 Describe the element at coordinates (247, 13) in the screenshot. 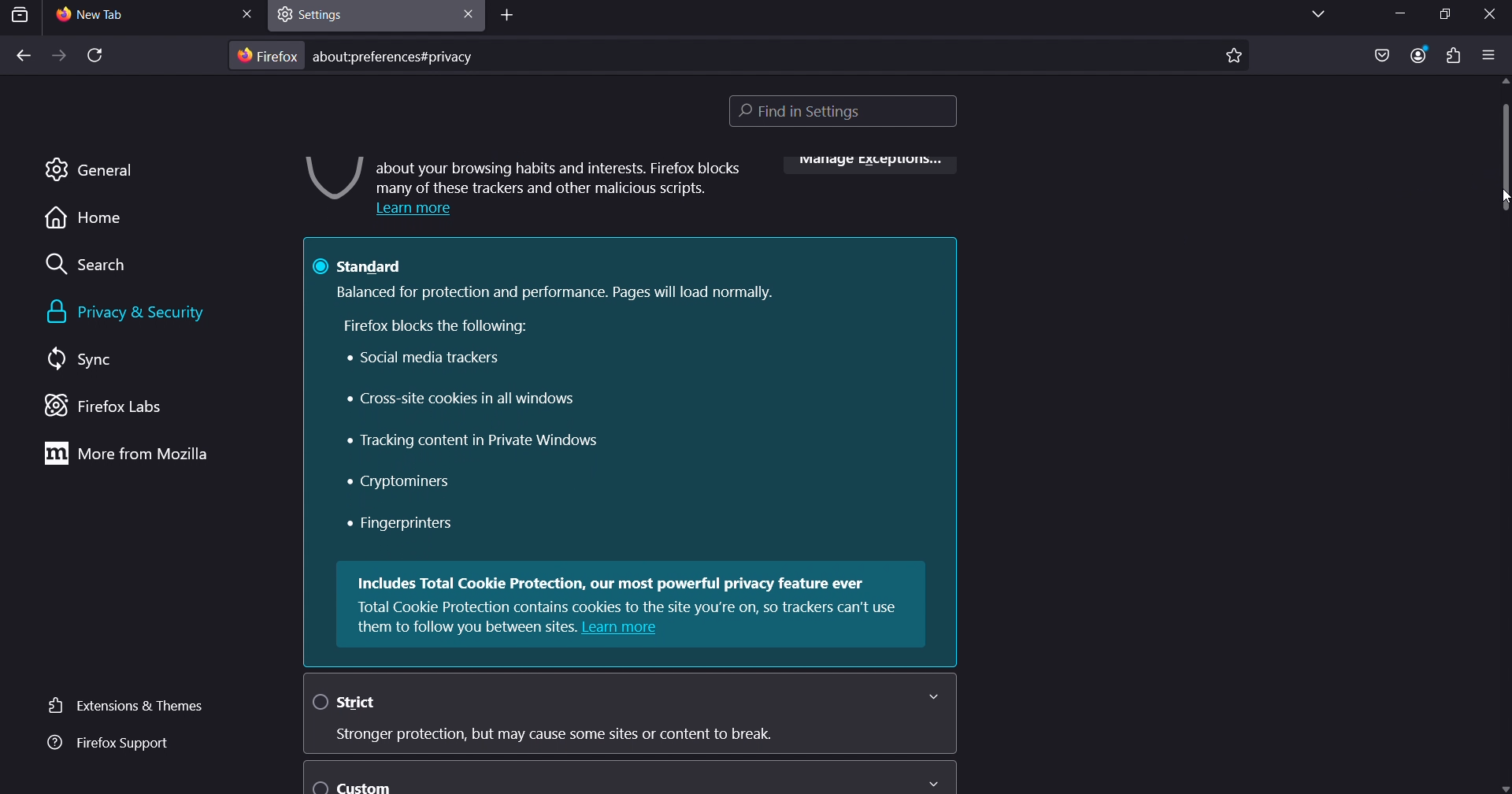

I see `close` at that location.